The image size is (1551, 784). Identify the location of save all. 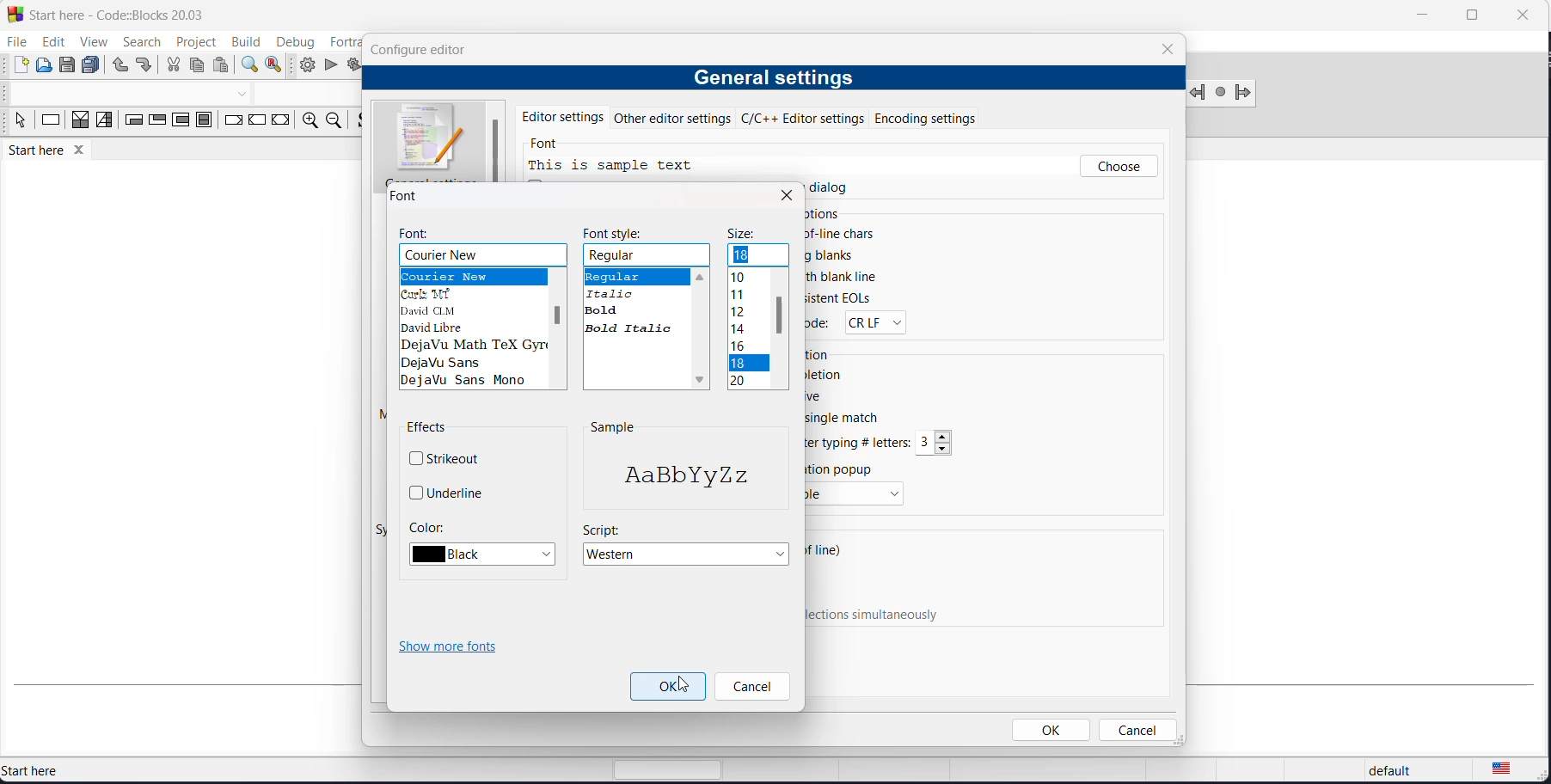
(94, 65).